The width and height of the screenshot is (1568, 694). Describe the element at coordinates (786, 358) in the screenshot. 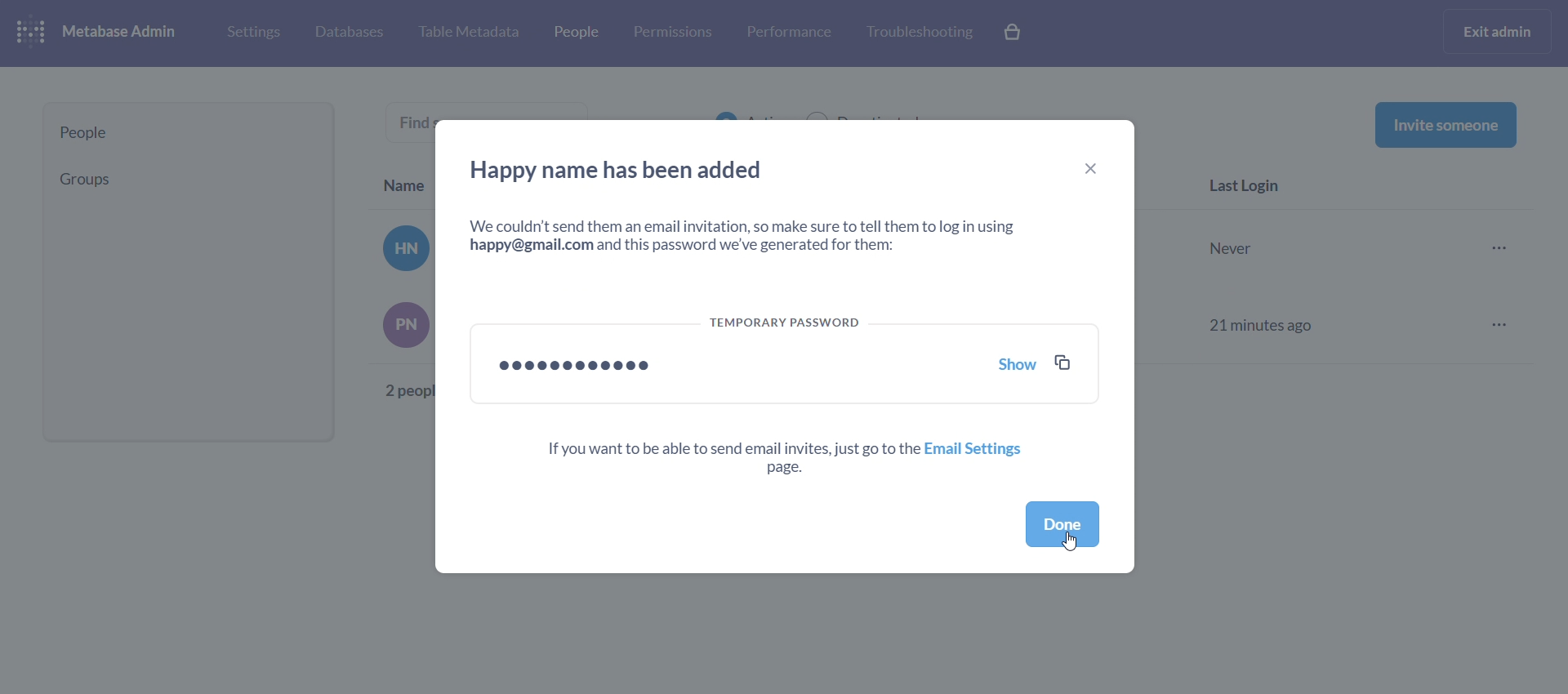

I see `temporary password` at that location.